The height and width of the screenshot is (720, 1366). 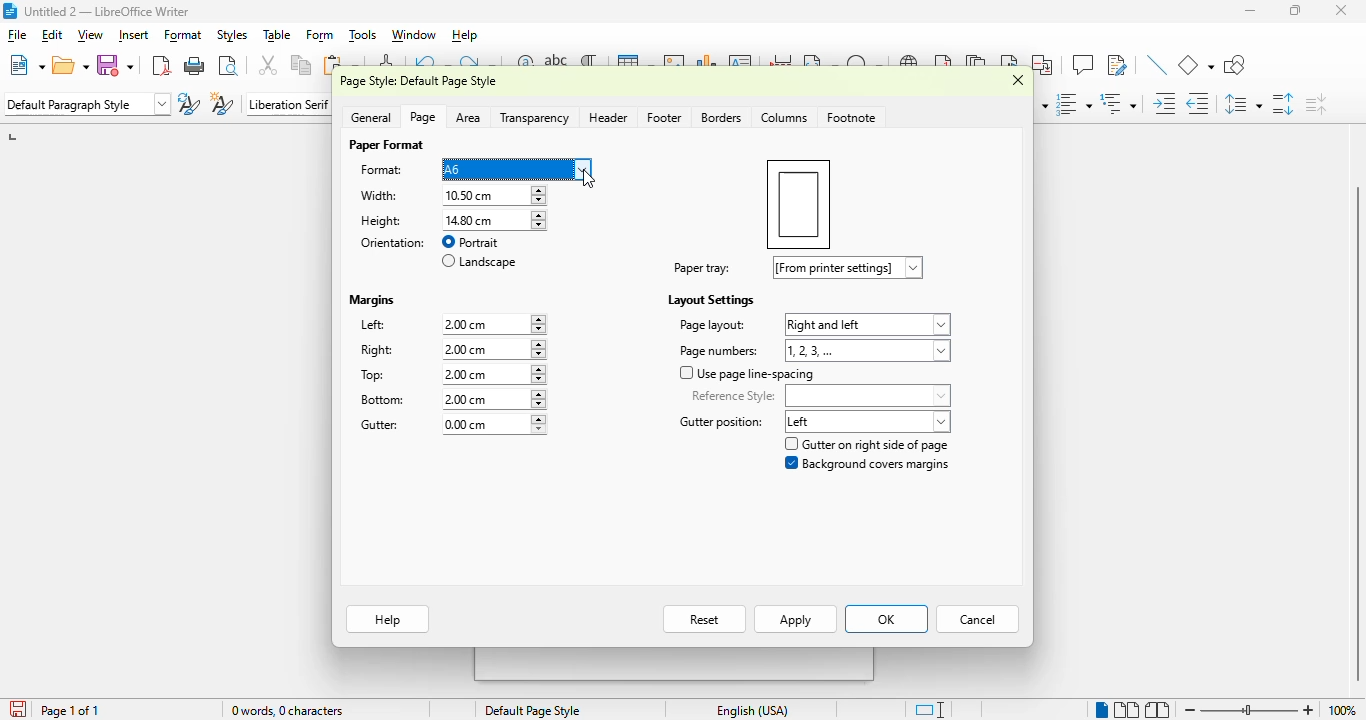 What do you see at coordinates (753, 710) in the screenshot?
I see `text language` at bounding box center [753, 710].